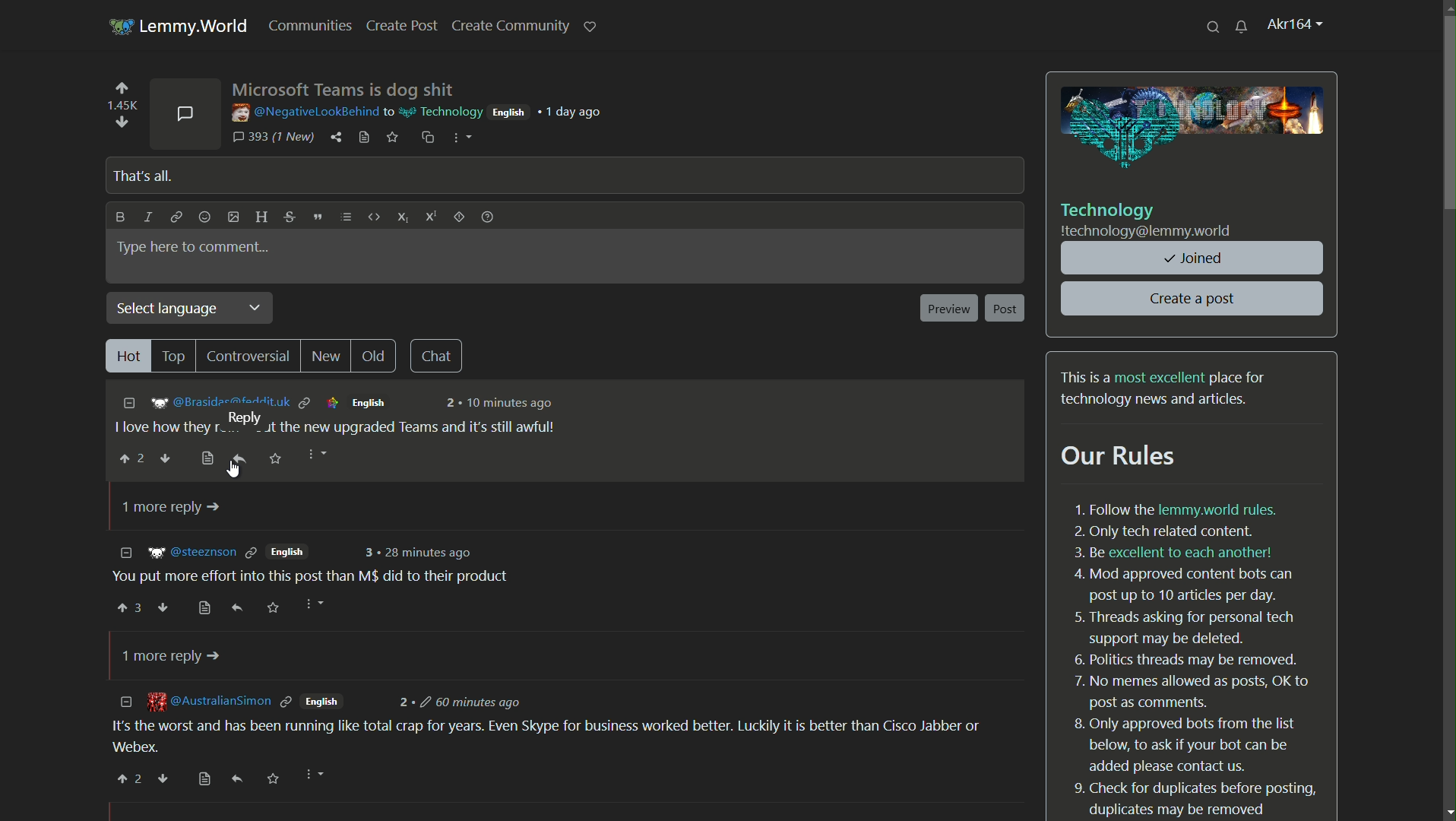  What do you see at coordinates (459, 220) in the screenshot?
I see `spoiler` at bounding box center [459, 220].